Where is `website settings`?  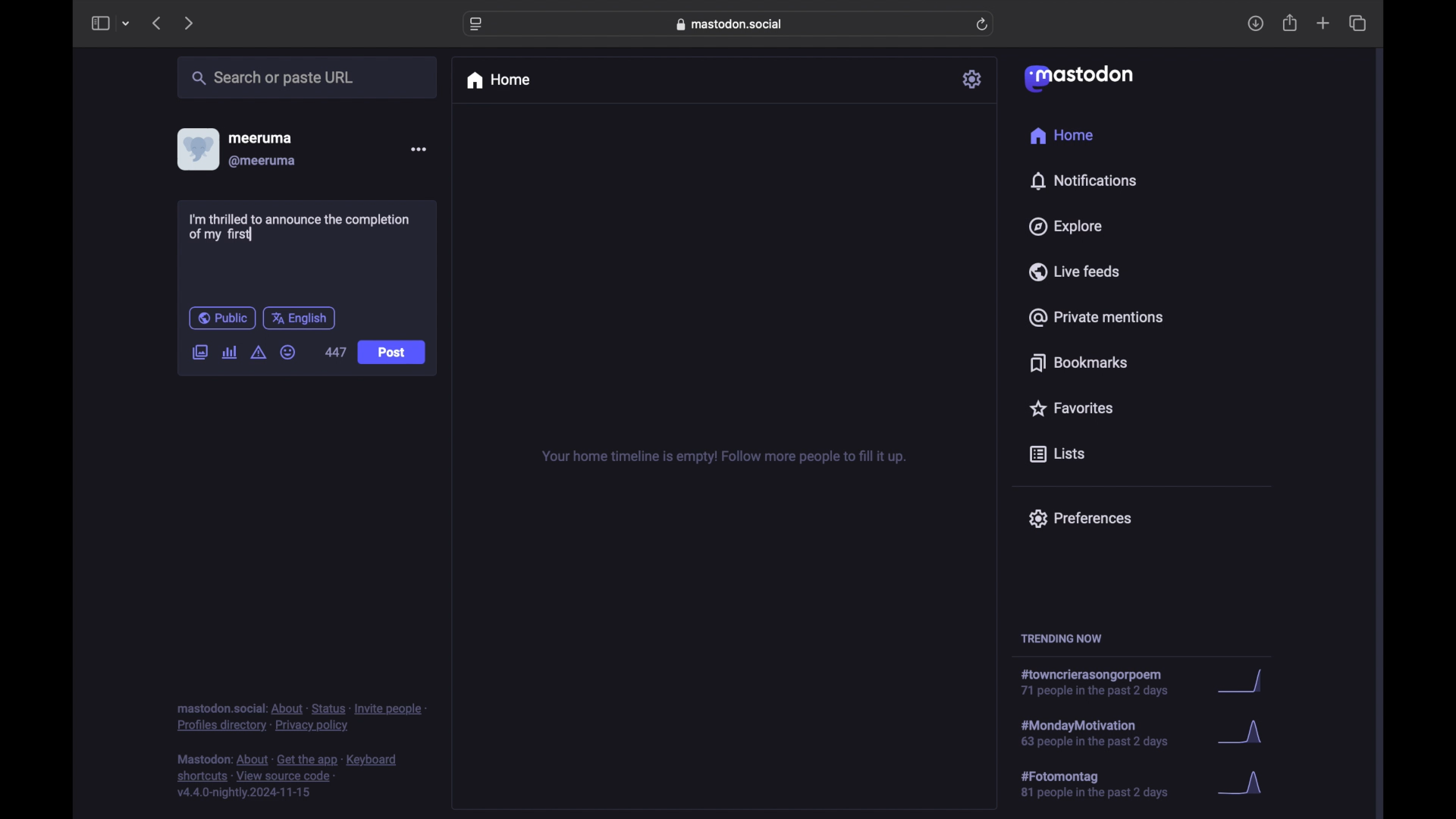 website settings is located at coordinates (476, 25).